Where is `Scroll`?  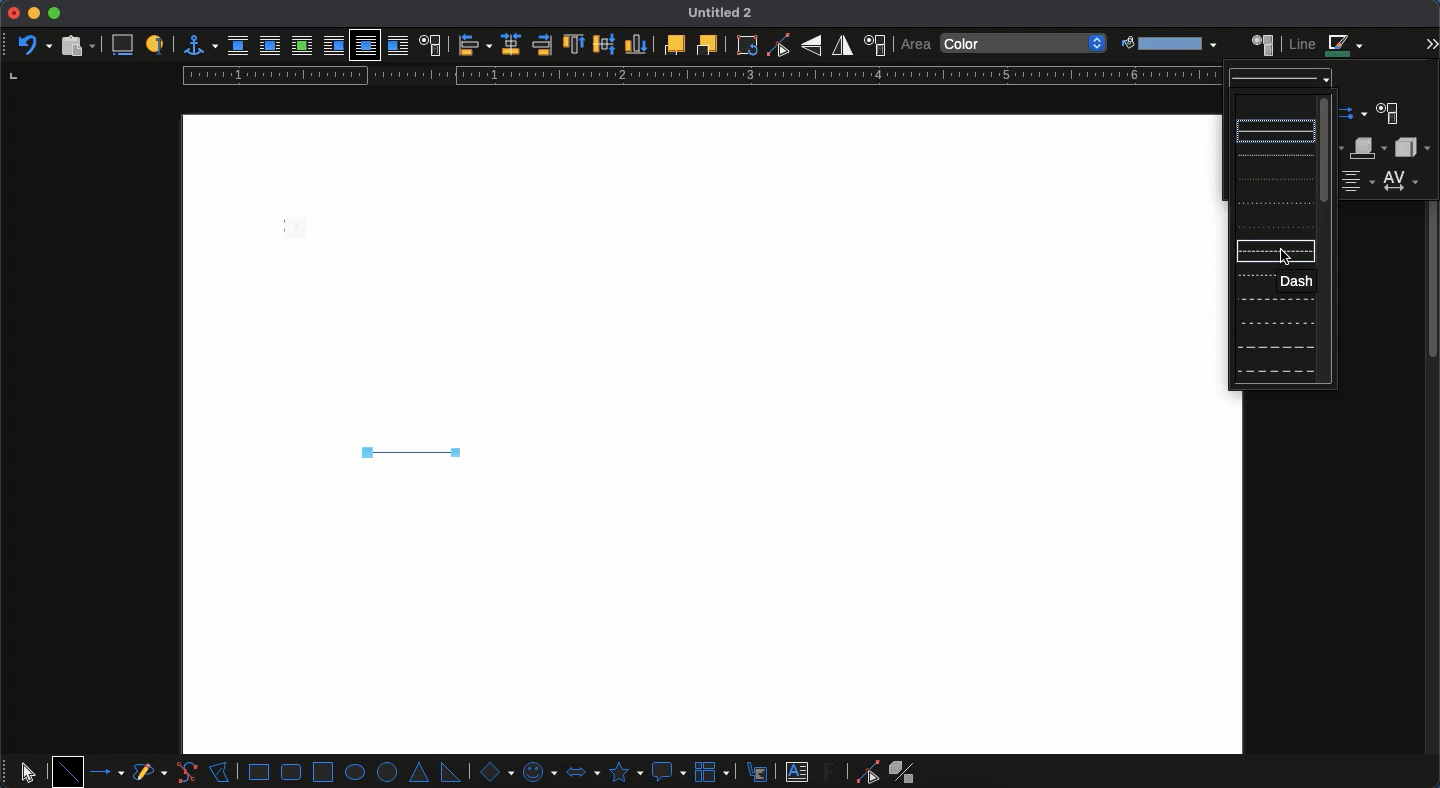
Scroll is located at coordinates (1329, 238).